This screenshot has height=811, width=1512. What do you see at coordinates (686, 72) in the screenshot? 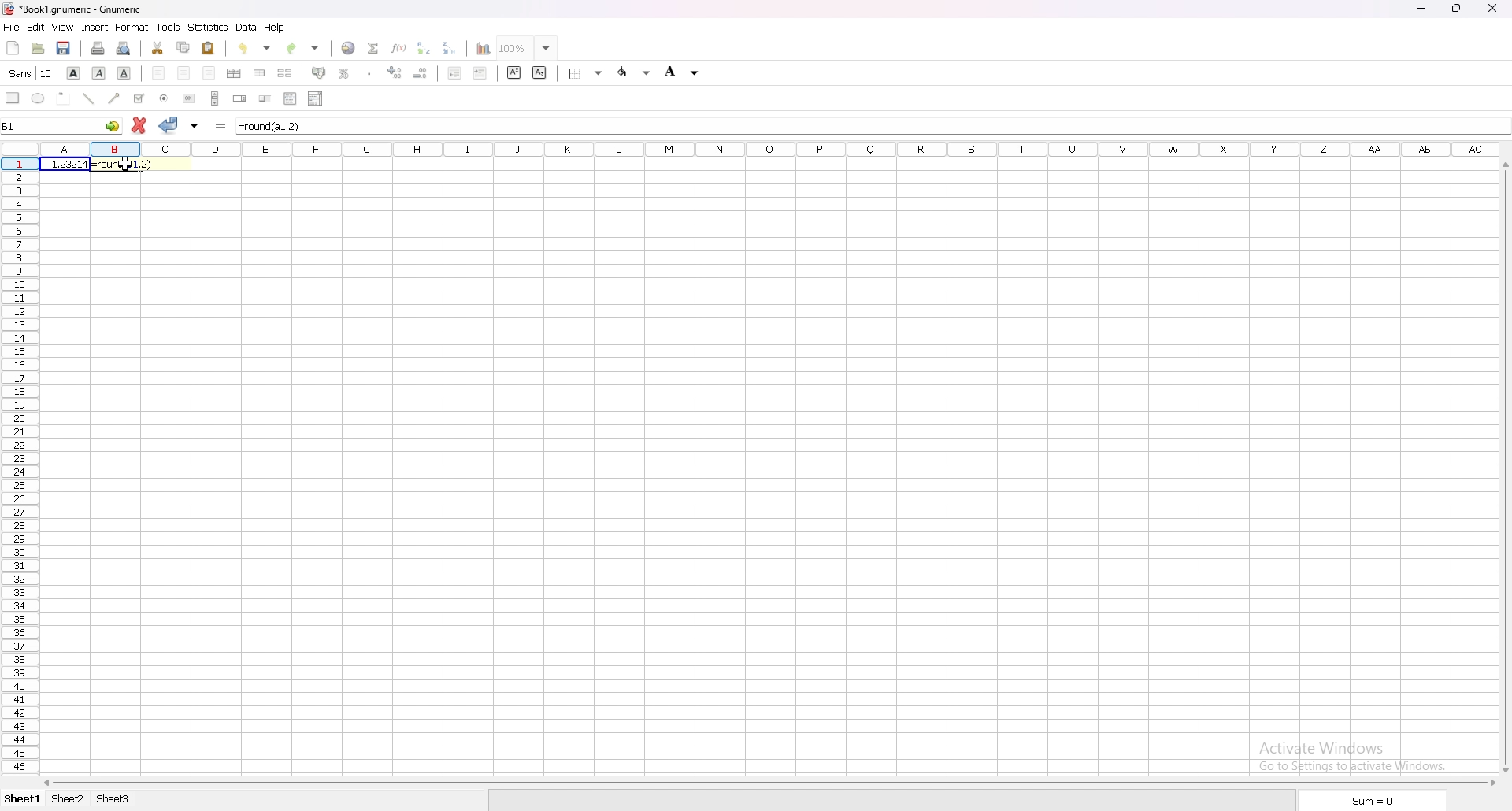
I see `background` at bounding box center [686, 72].